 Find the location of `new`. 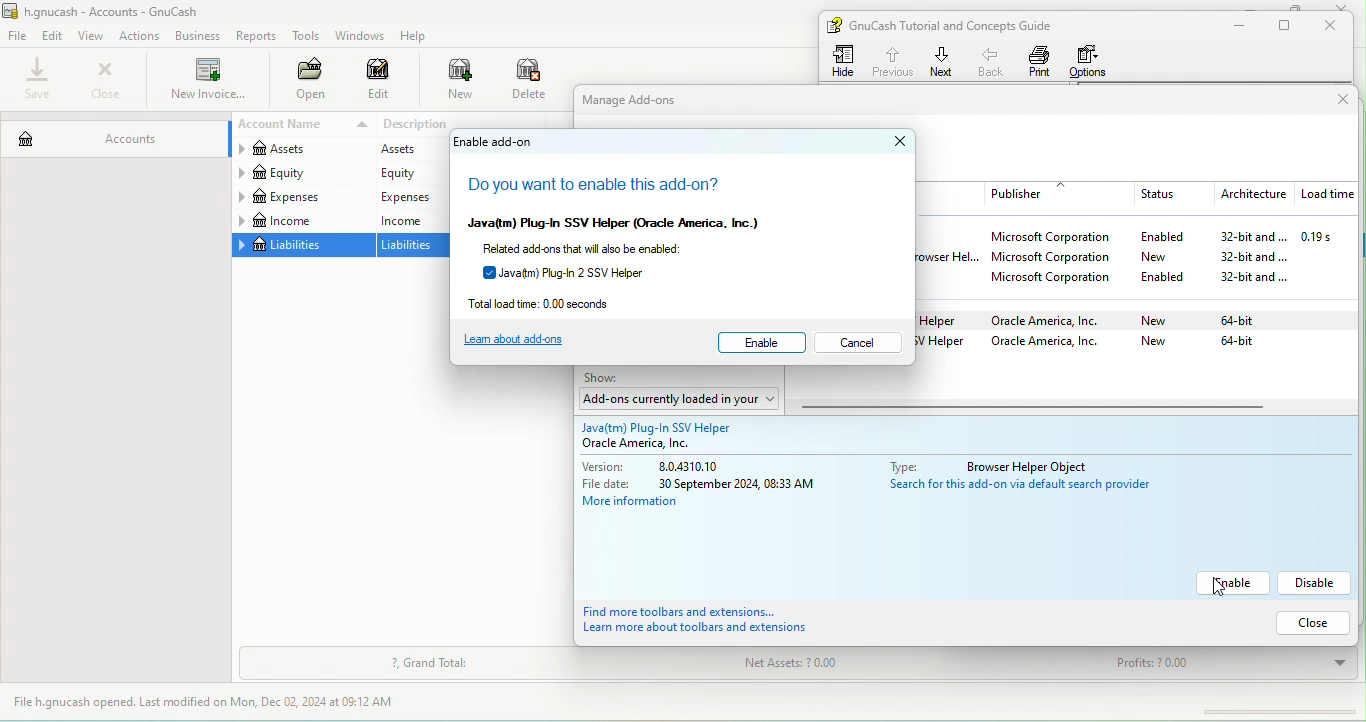

new is located at coordinates (1169, 256).